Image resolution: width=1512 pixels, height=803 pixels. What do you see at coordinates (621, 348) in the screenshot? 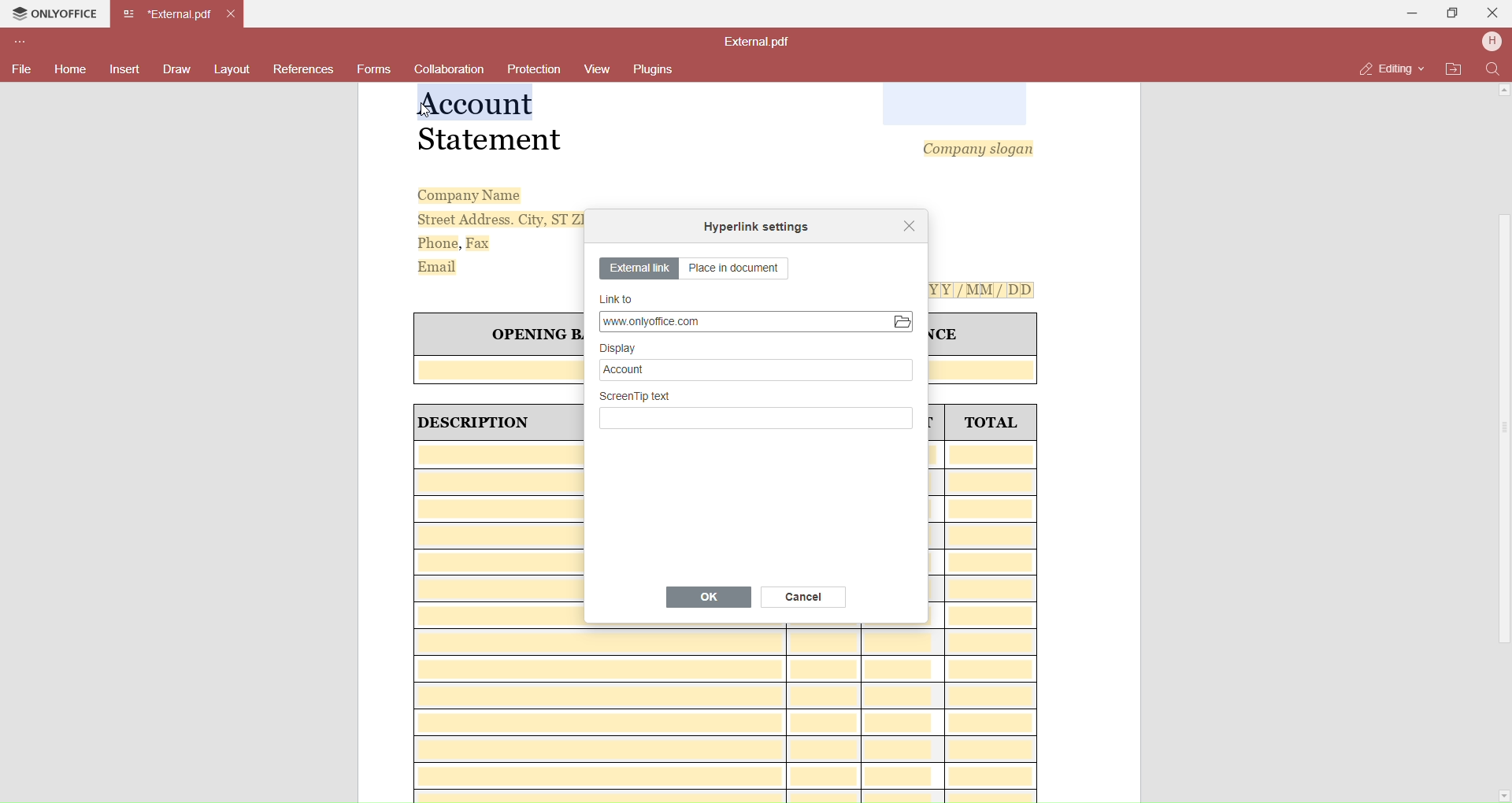
I see `Display` at bounding box center [621, 348].